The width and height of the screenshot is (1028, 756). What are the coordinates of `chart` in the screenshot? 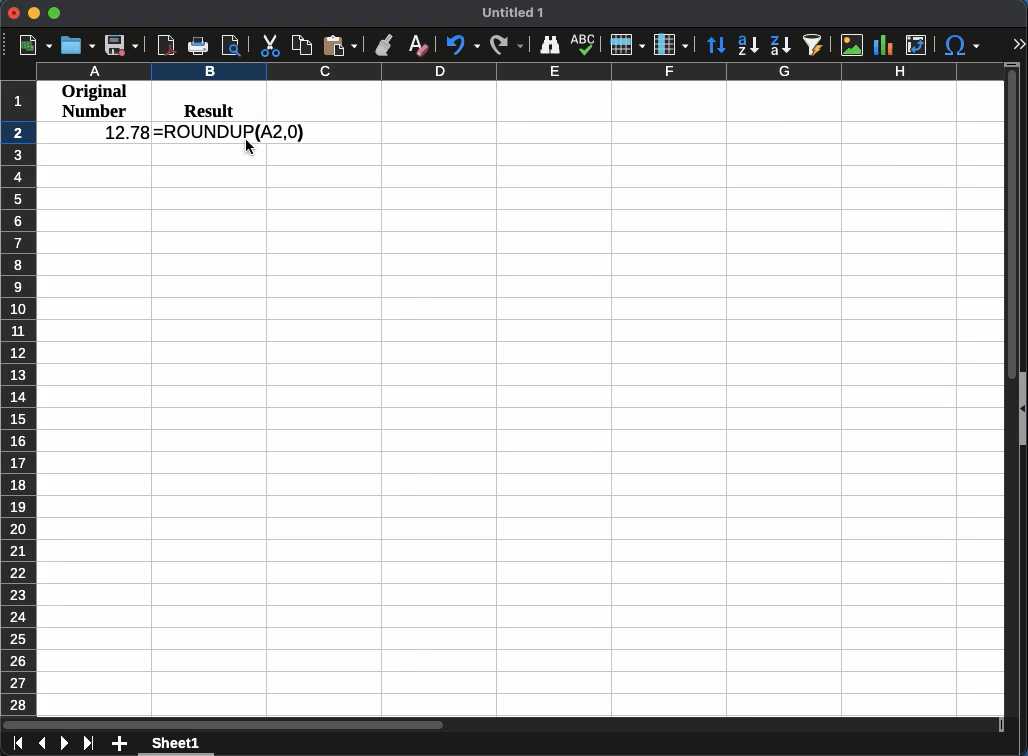 It's located at (883, 44).